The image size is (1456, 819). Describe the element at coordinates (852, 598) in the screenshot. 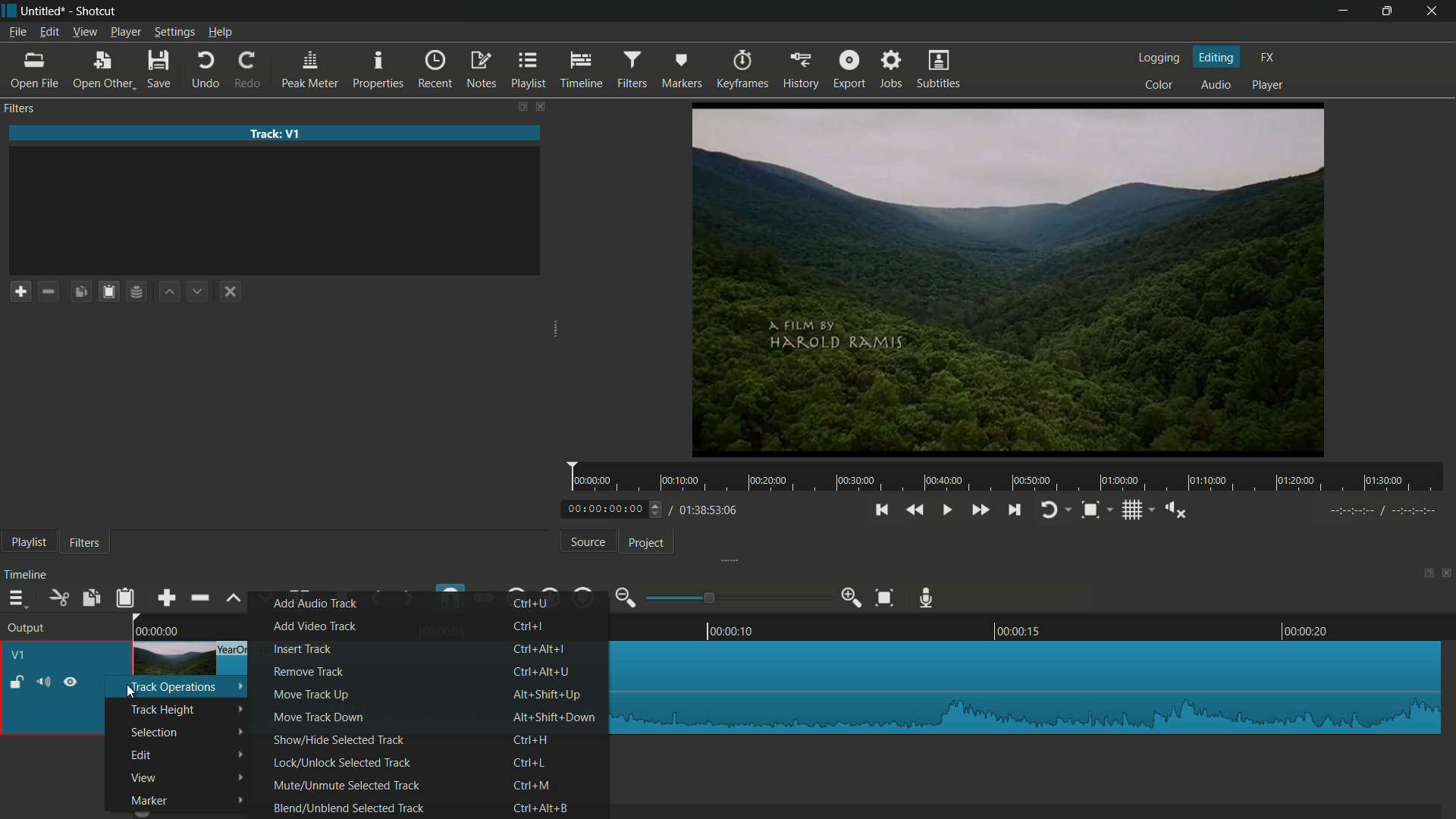

I see `zoom in` at that location.